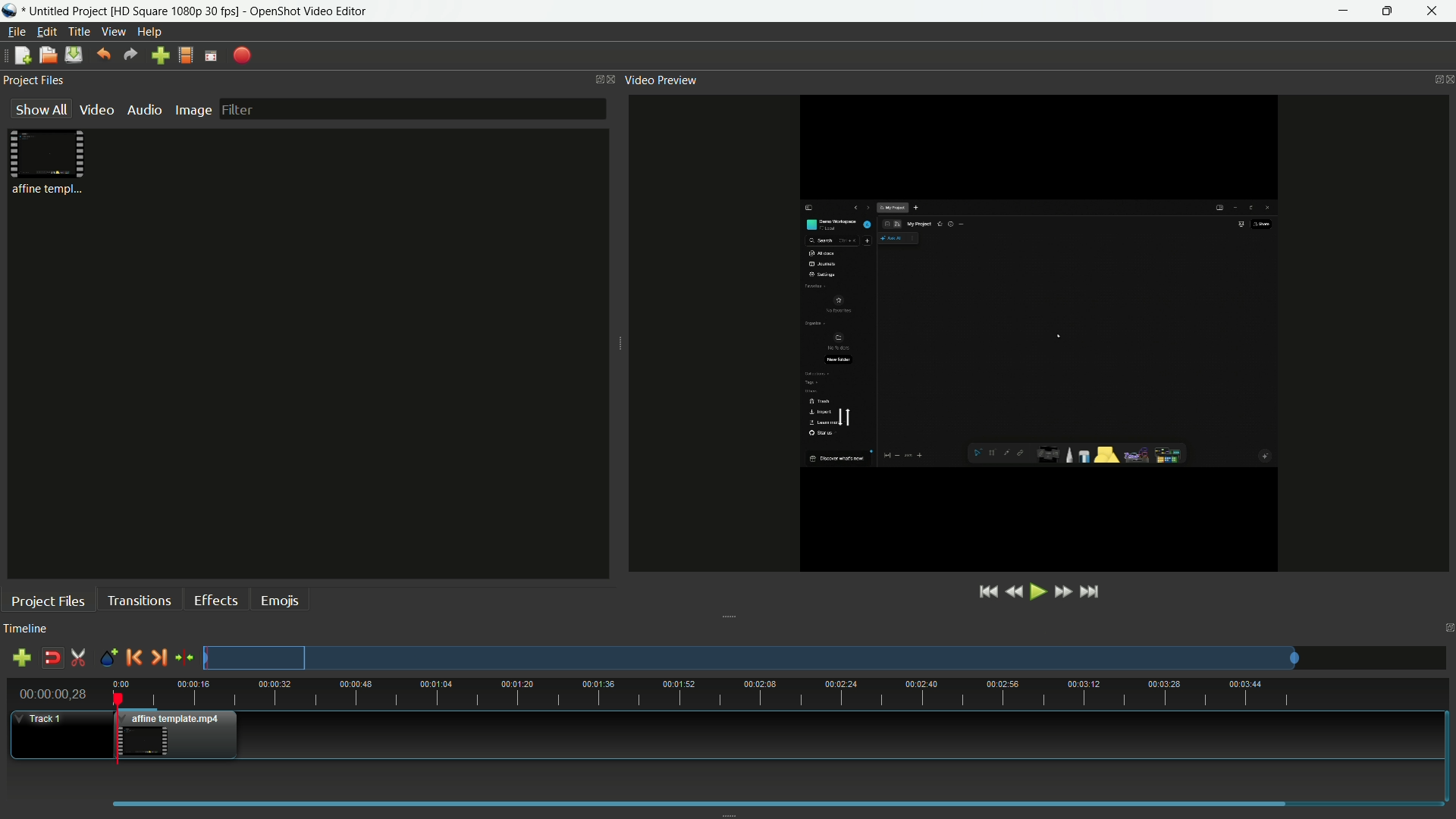 This screenshot has width=1456, height=819. What do you see at coordinates (15, 32) in the screenshot?
I see `file menu` at bounding box center [15, 32].